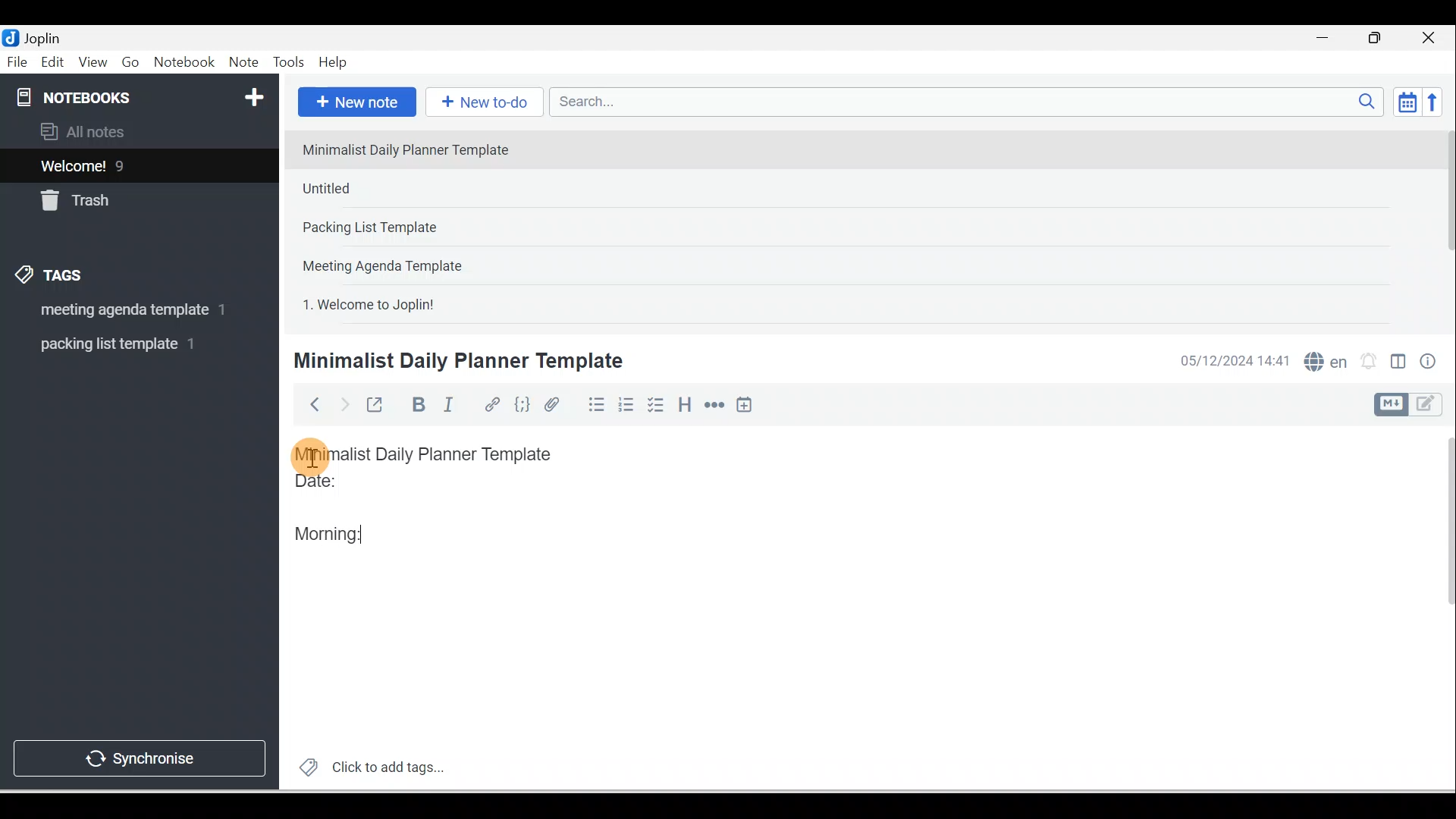 This screenshot has height=819, width=1456. Describe the element at coordinates (971, 102) in the screenshot. I see `Search bar` at that location.